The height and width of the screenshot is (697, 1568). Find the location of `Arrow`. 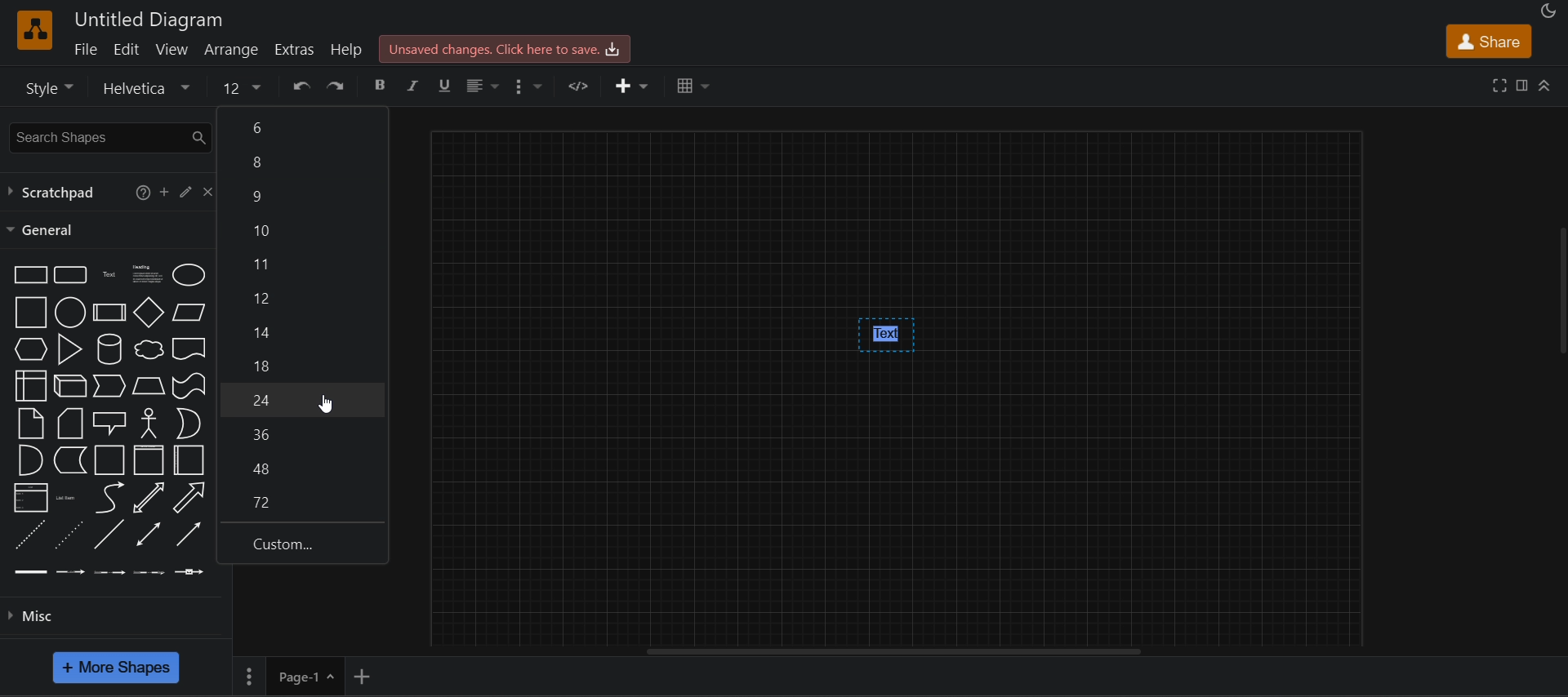

Arrow is located at coordinates (189, 498).